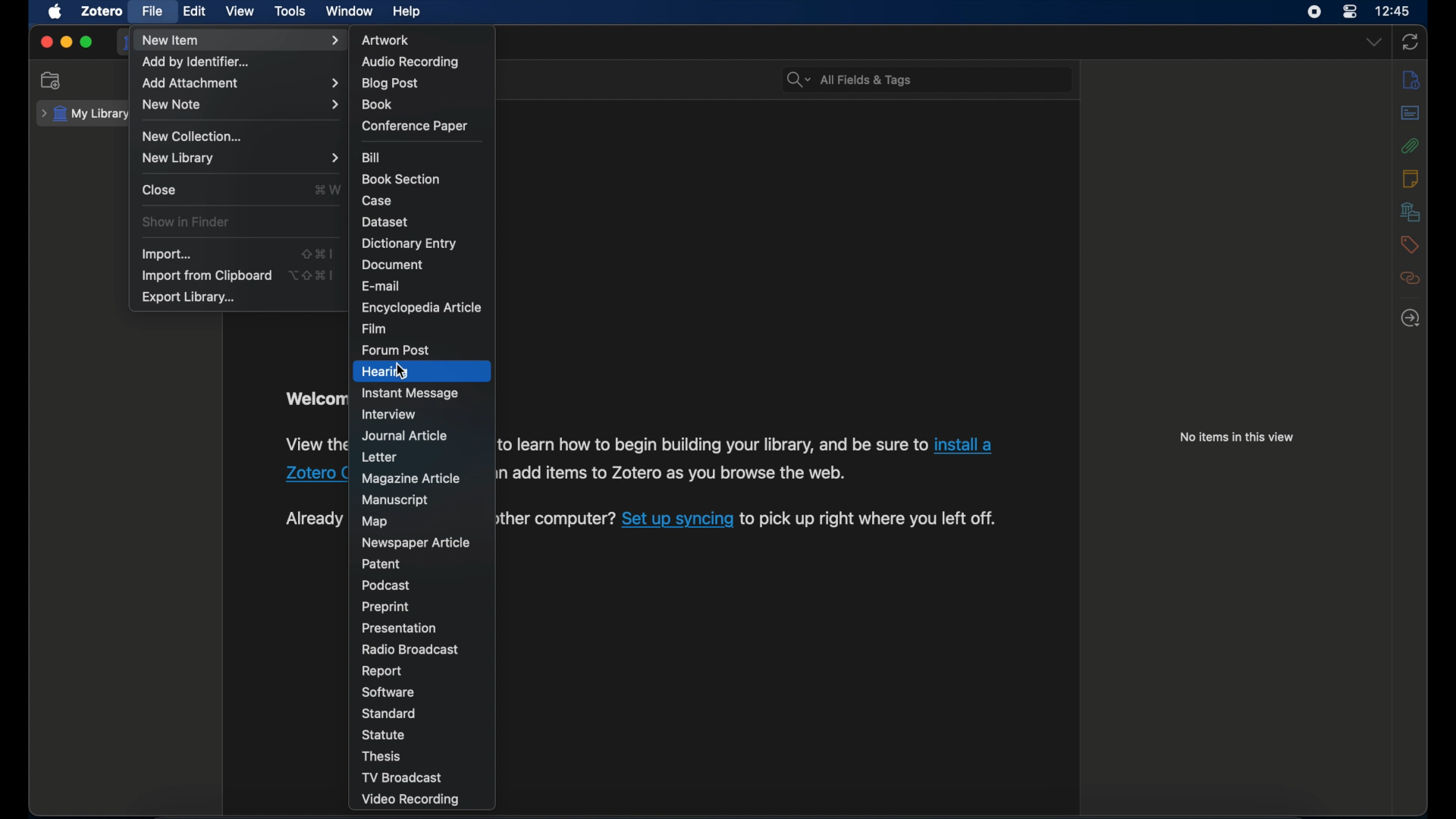 The width and height of the screenshot is (1456, 819). What do you see at coordinates (397, 629) in the screenshot?
I see `presentation` at bounding box center [397, 629].